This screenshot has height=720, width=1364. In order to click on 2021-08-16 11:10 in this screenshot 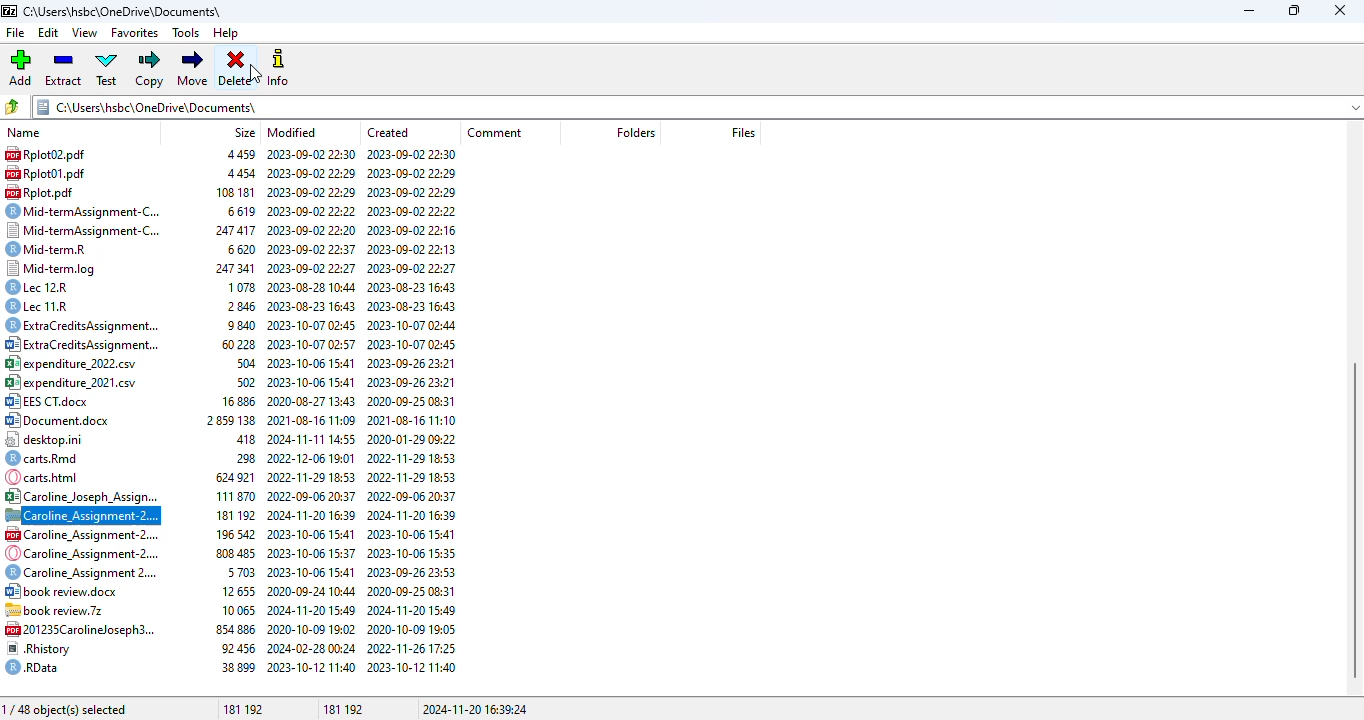, I will do `click(413, 422)`.